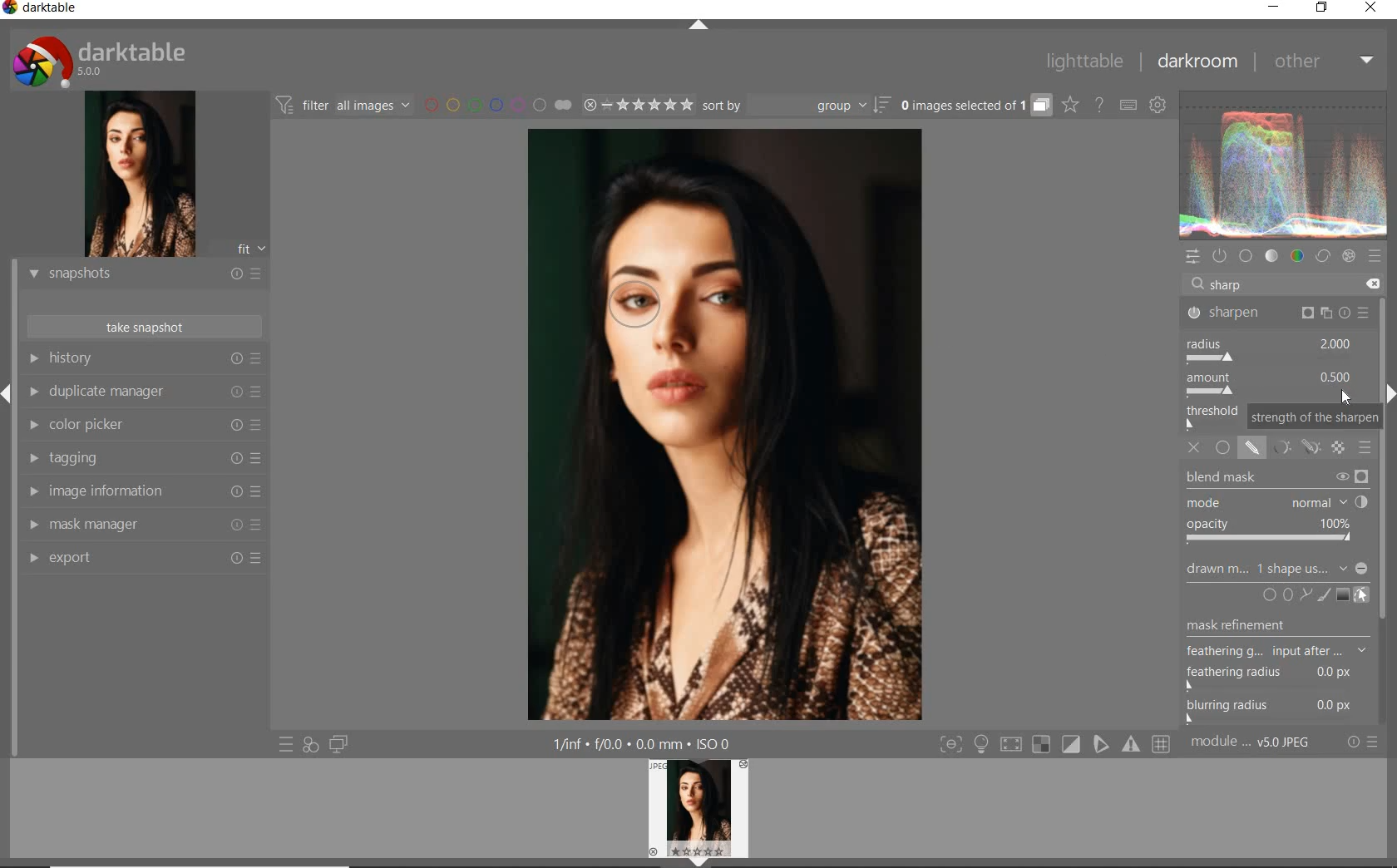 The height and width of the screenshot is (868, 1397). What do you see at coordinates (1293, 447) in the screenshot?
I see `mask options` at bounding box center [1293, 447].